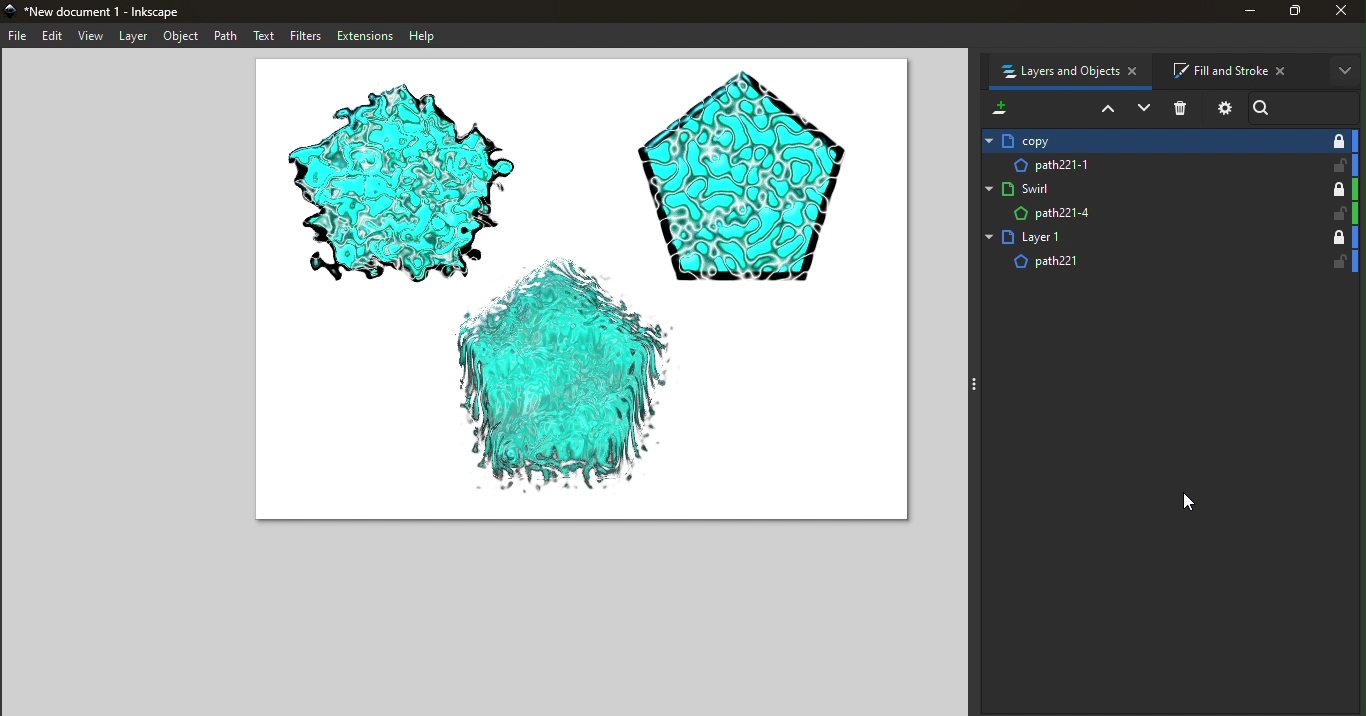  What do you see at coordinates (1335, 213) in the screenshot?
I see `lock/unlock layer` at bounding box center [1335, 213].